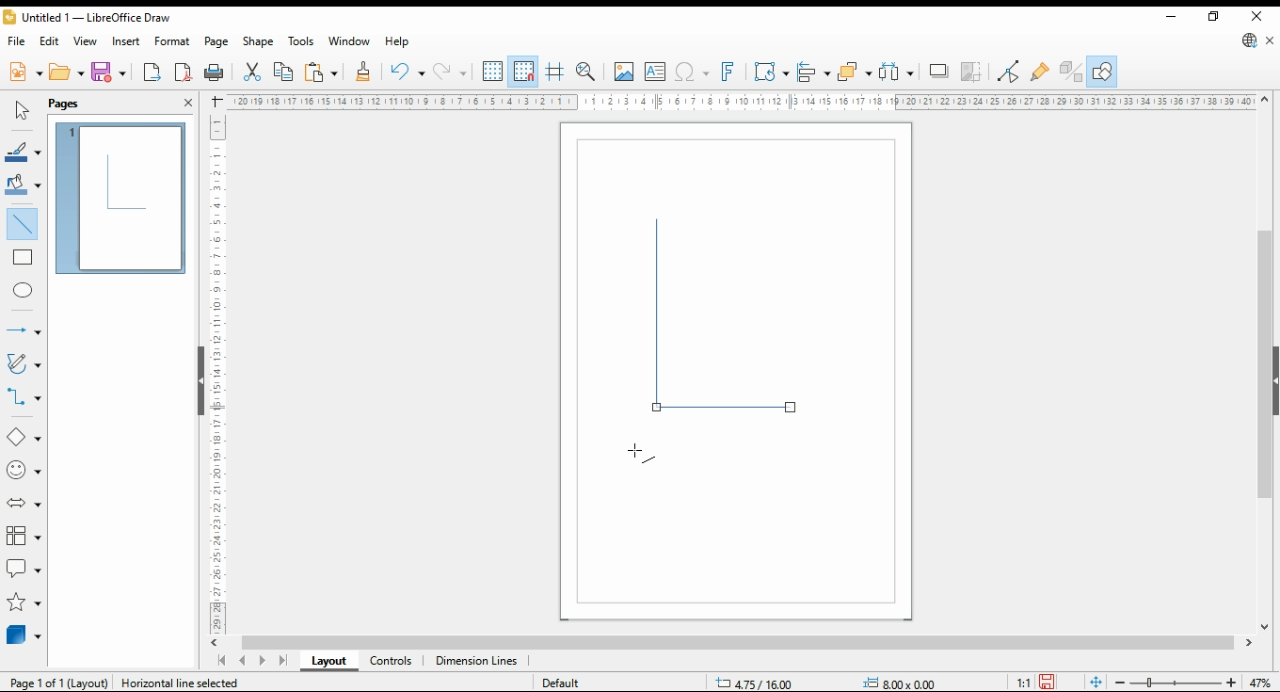 This screenshot has width=1280, height=692. Describe the element at coordinates (23, 332) in the screenshot. I see `lines and arrows` at that location.